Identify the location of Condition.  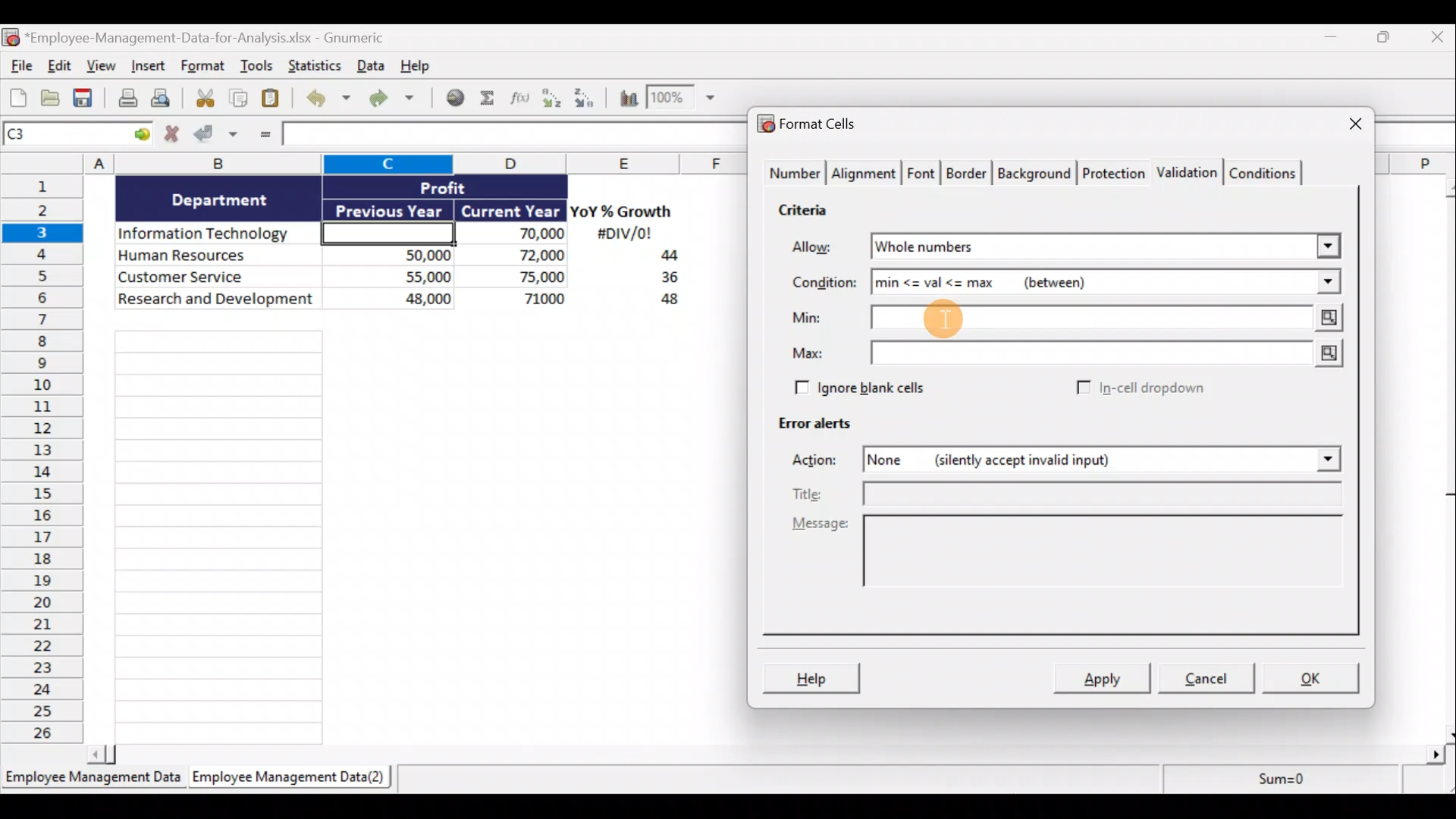
(826, 286).